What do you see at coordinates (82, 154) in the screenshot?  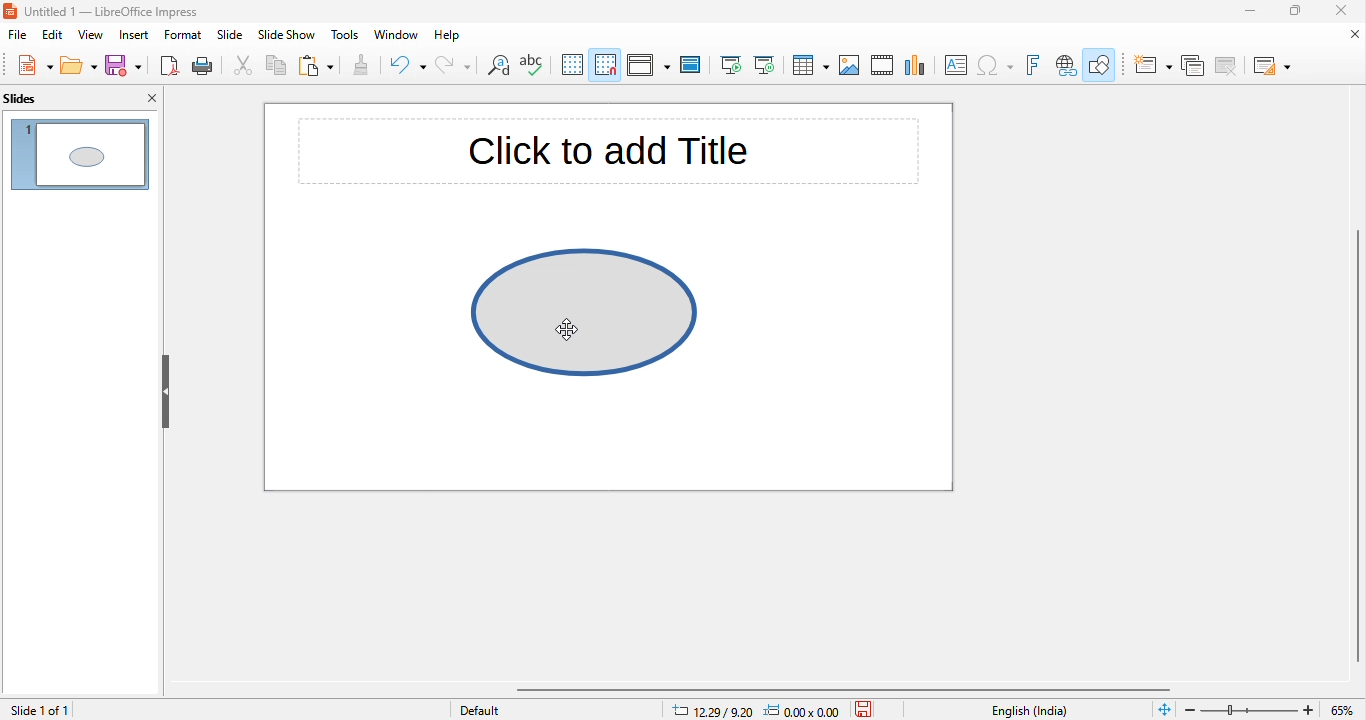 I see `slide 1` at bounding box center [82, 154].